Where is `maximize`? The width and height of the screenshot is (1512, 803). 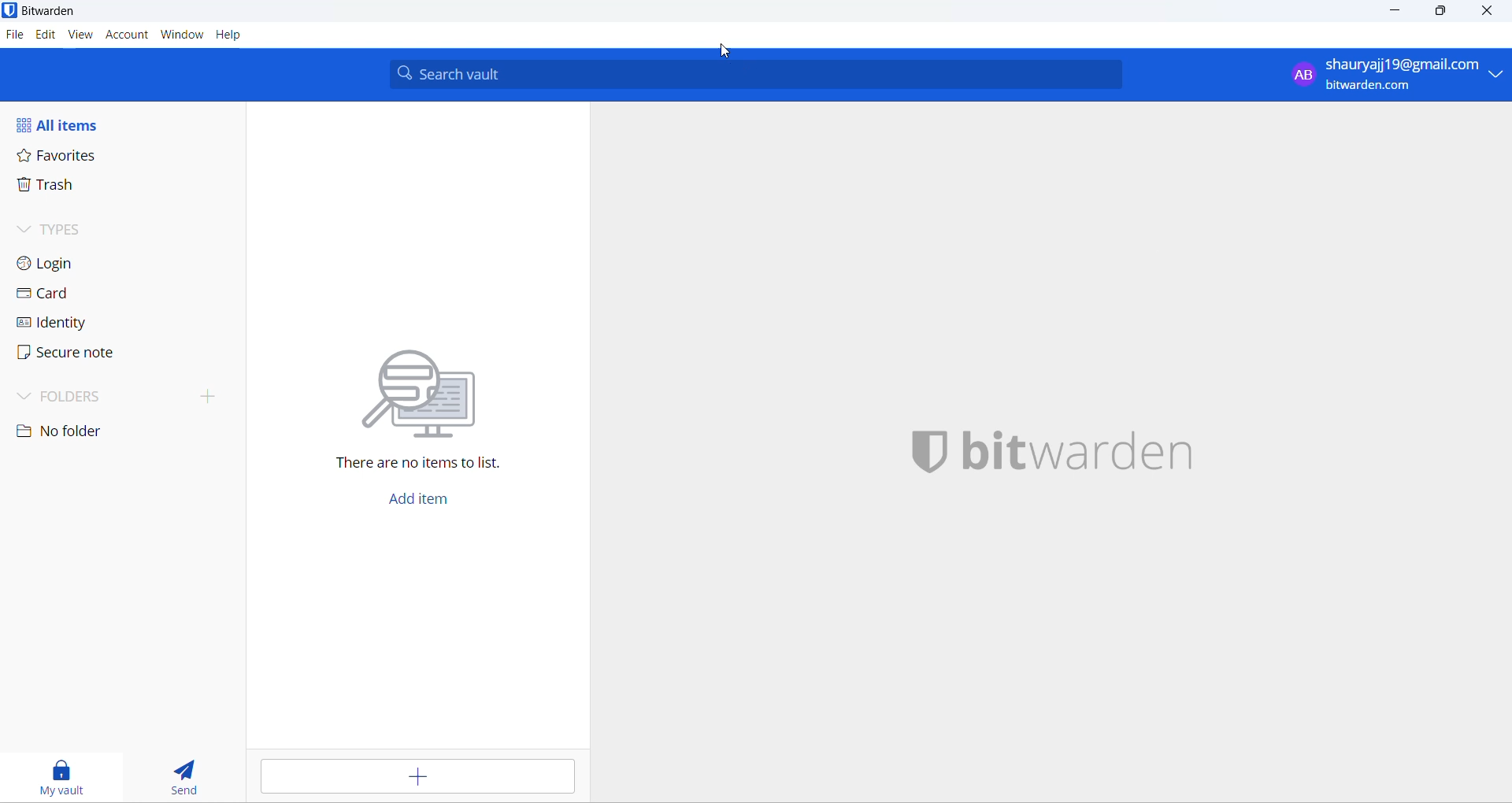
maximize is located at coordinates (1440, 13).